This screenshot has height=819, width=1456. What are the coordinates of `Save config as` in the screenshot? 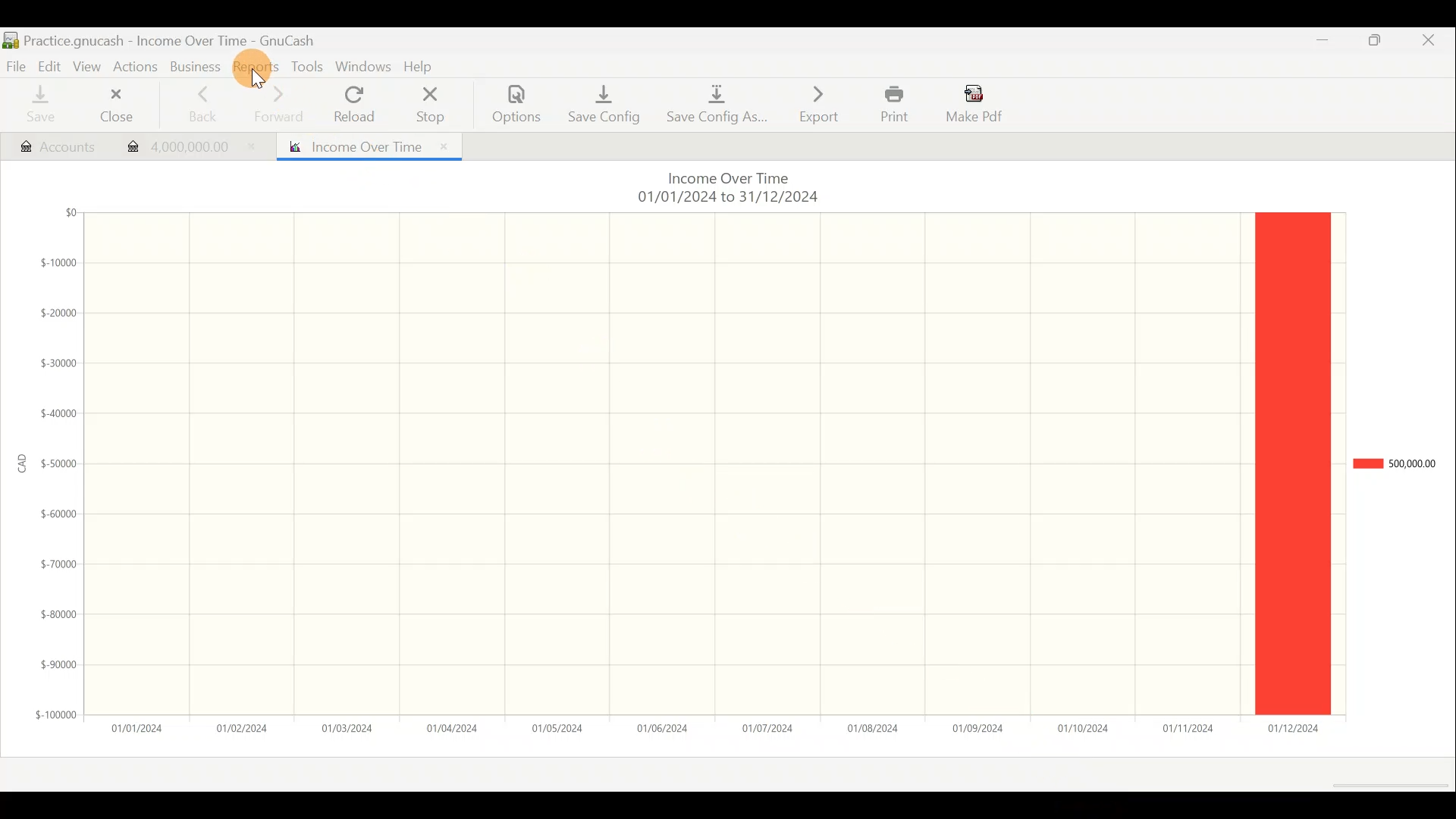 It's located at (712, 105).